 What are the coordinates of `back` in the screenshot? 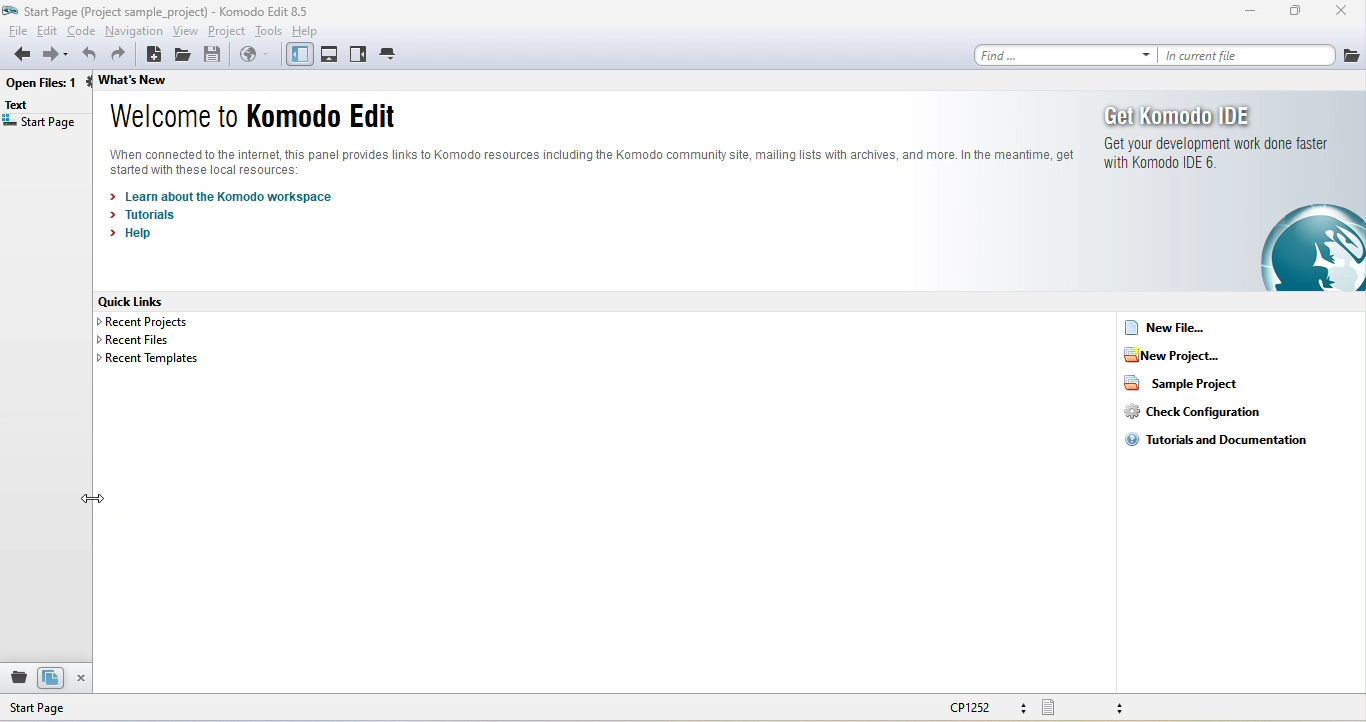 It's located at (17, 56).